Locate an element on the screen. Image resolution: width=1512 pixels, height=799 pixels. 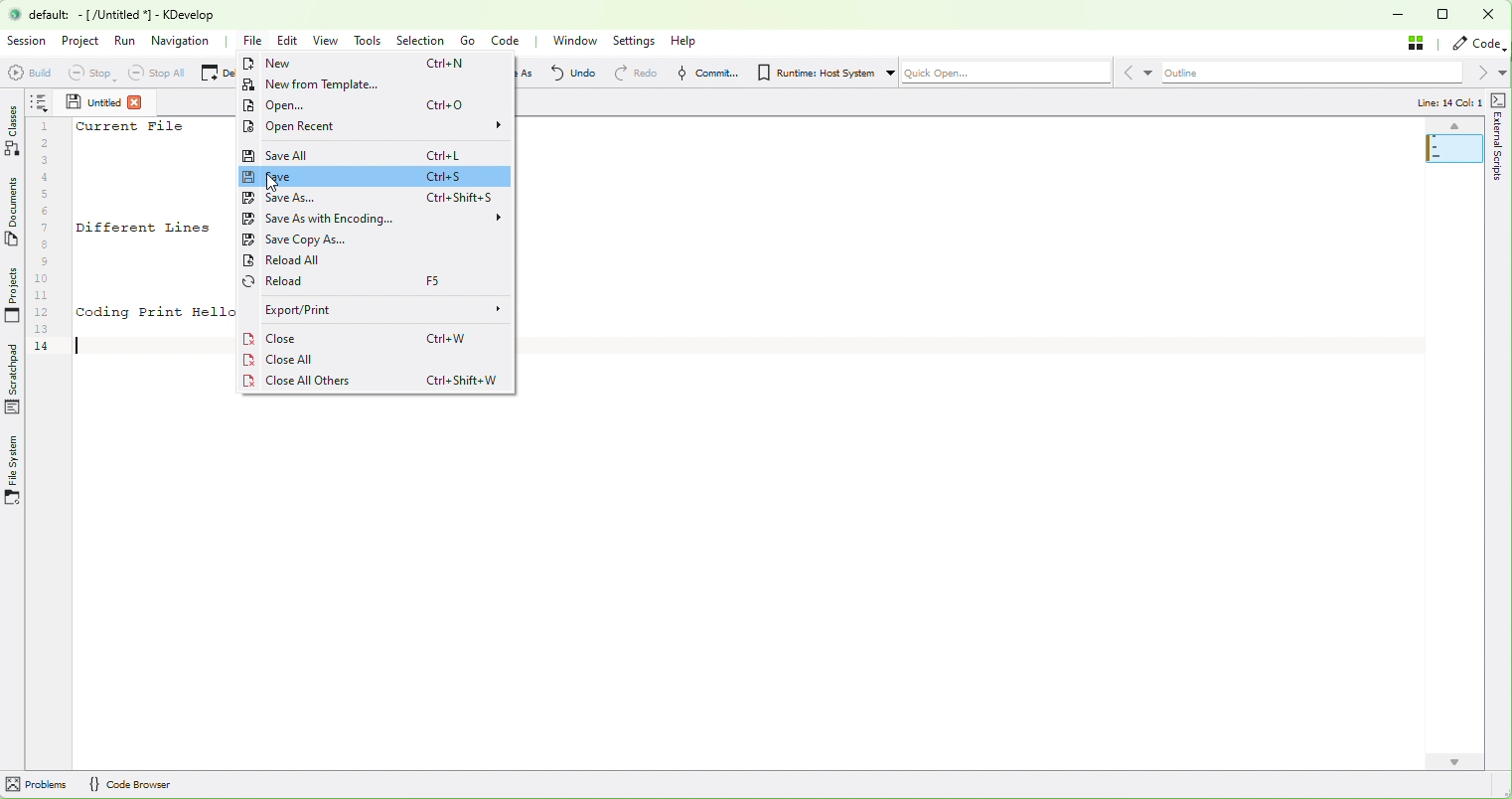
Open Recent is located at coordinates (373, 127).